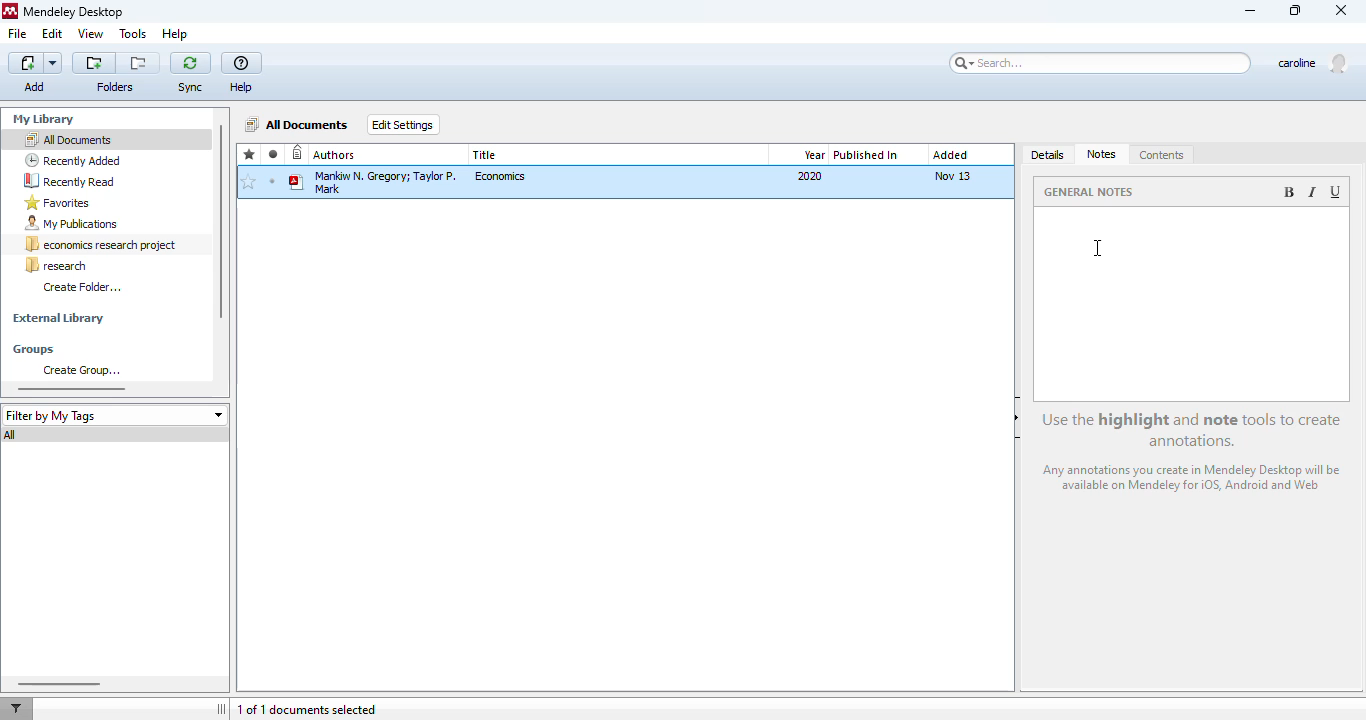 The image size is (1366, 720). What do you see at coordinates (1311, 192) in the screenshot?
I see `italic` at bounding box center [1311, 192].